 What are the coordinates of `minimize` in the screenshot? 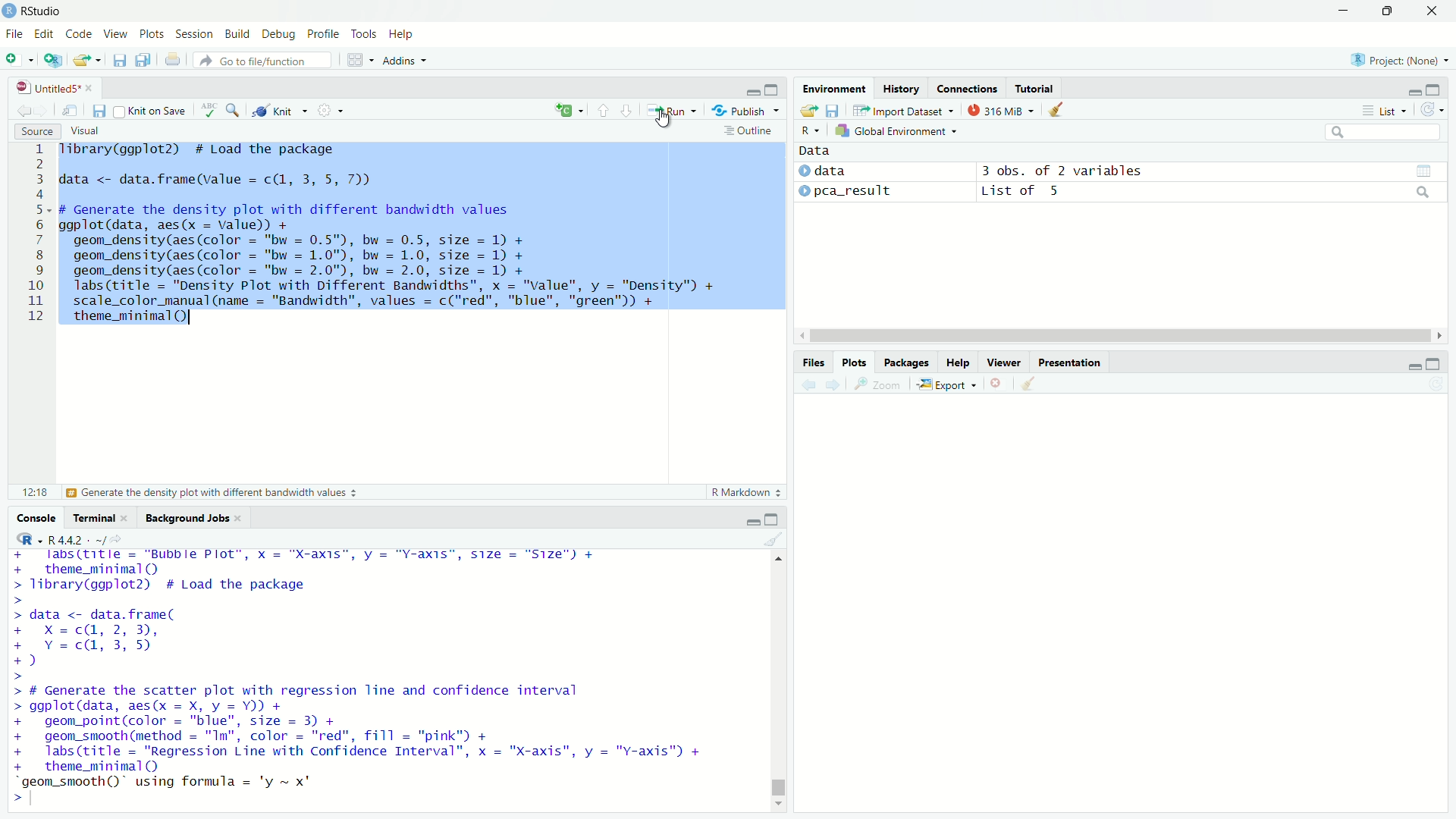 It's located at (751, 89).